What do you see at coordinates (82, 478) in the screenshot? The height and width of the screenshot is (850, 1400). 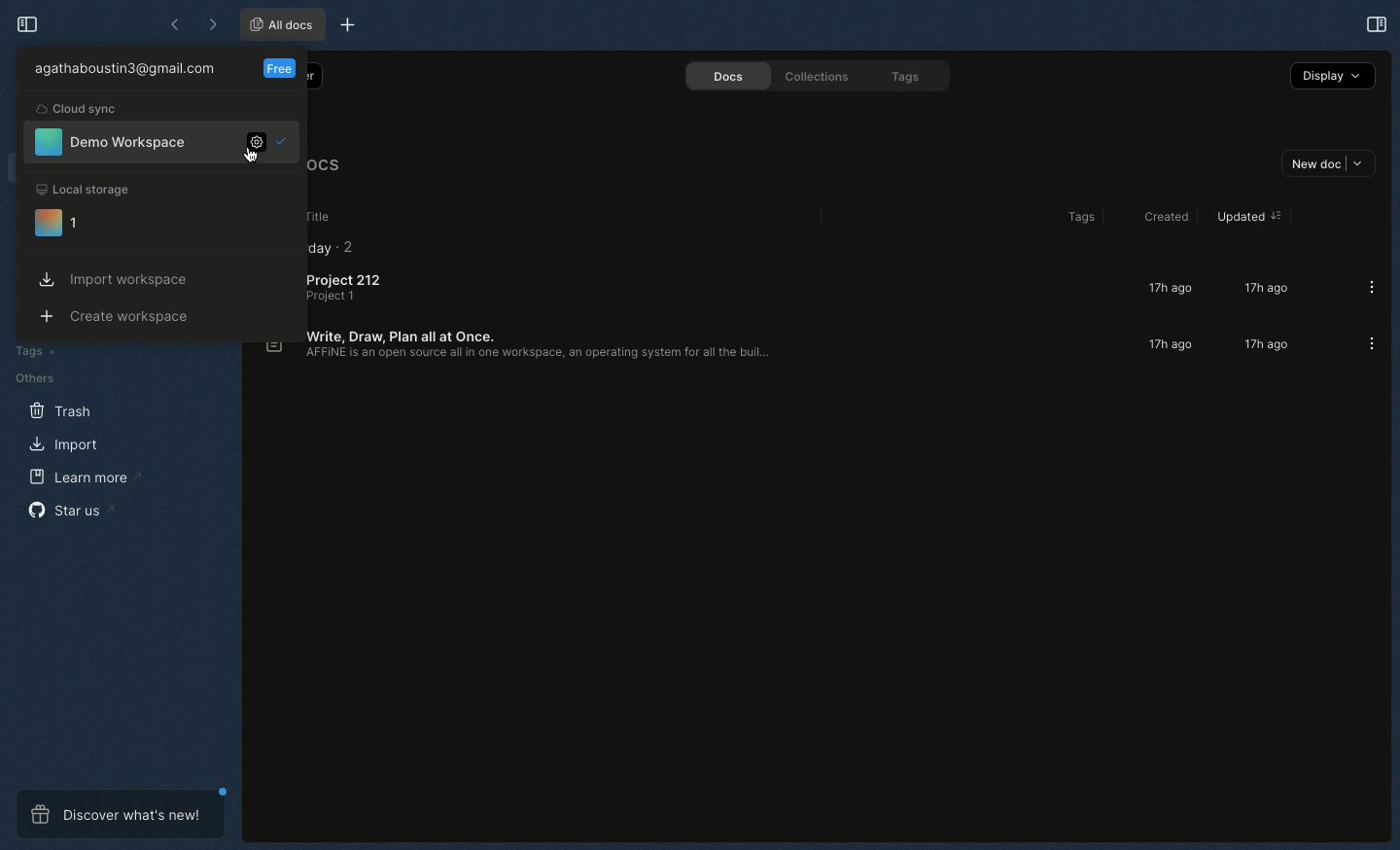 I see `Learn more` at bounding box center [82, 478].